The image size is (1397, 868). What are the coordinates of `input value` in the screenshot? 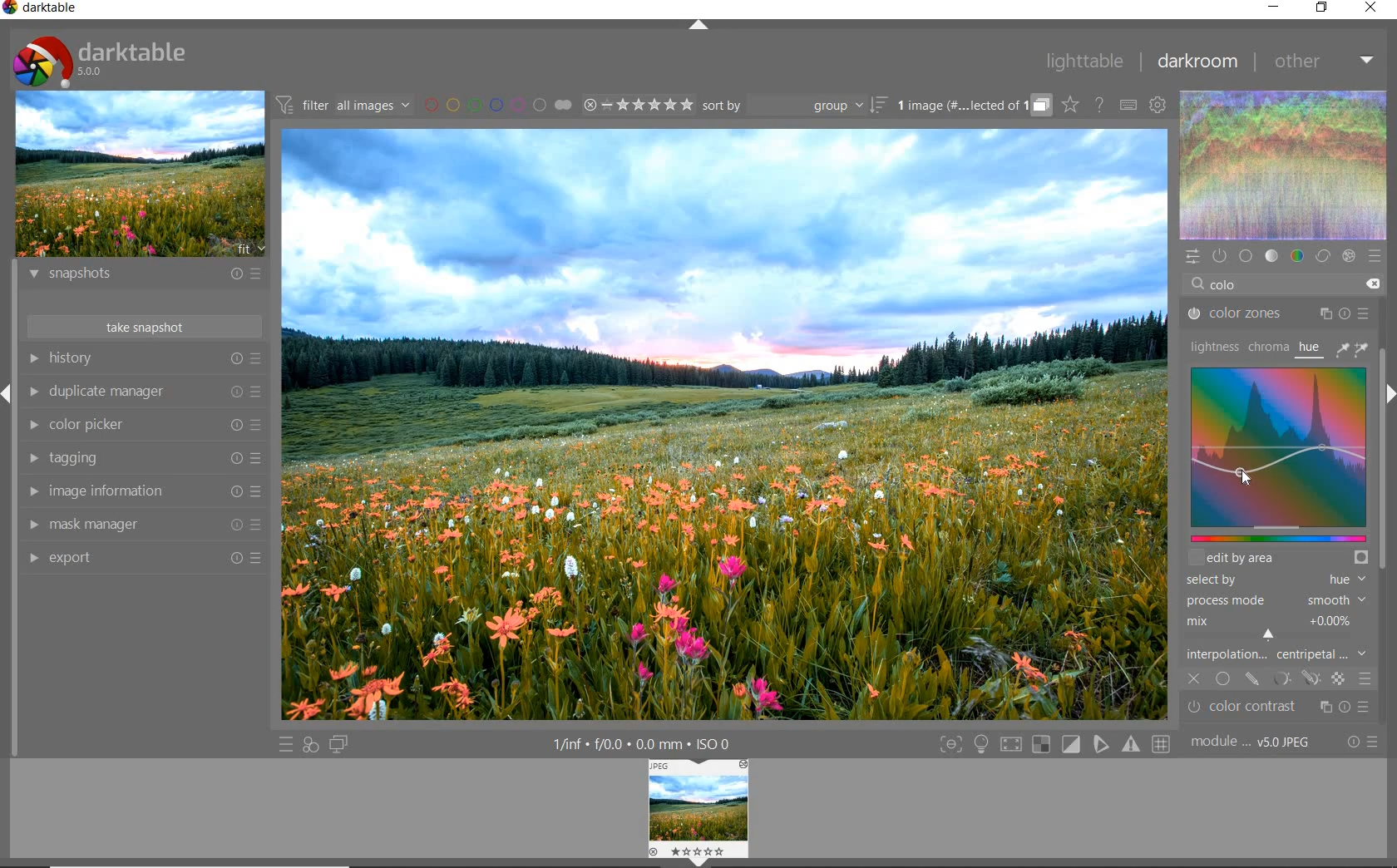 It's located at (1244, 286).